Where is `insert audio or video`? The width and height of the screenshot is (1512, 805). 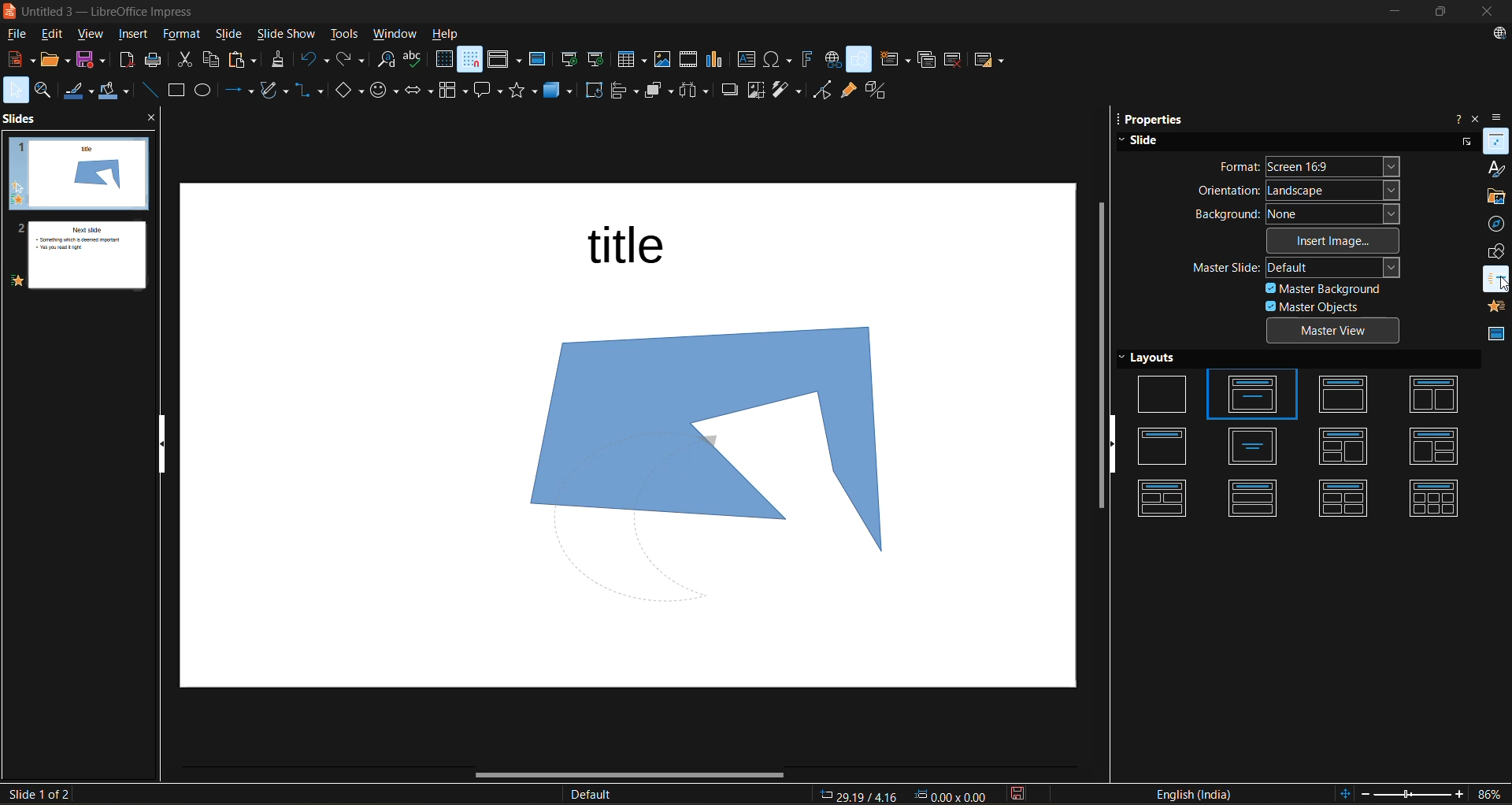
insert audio or video is located at coordinates (691, 63).